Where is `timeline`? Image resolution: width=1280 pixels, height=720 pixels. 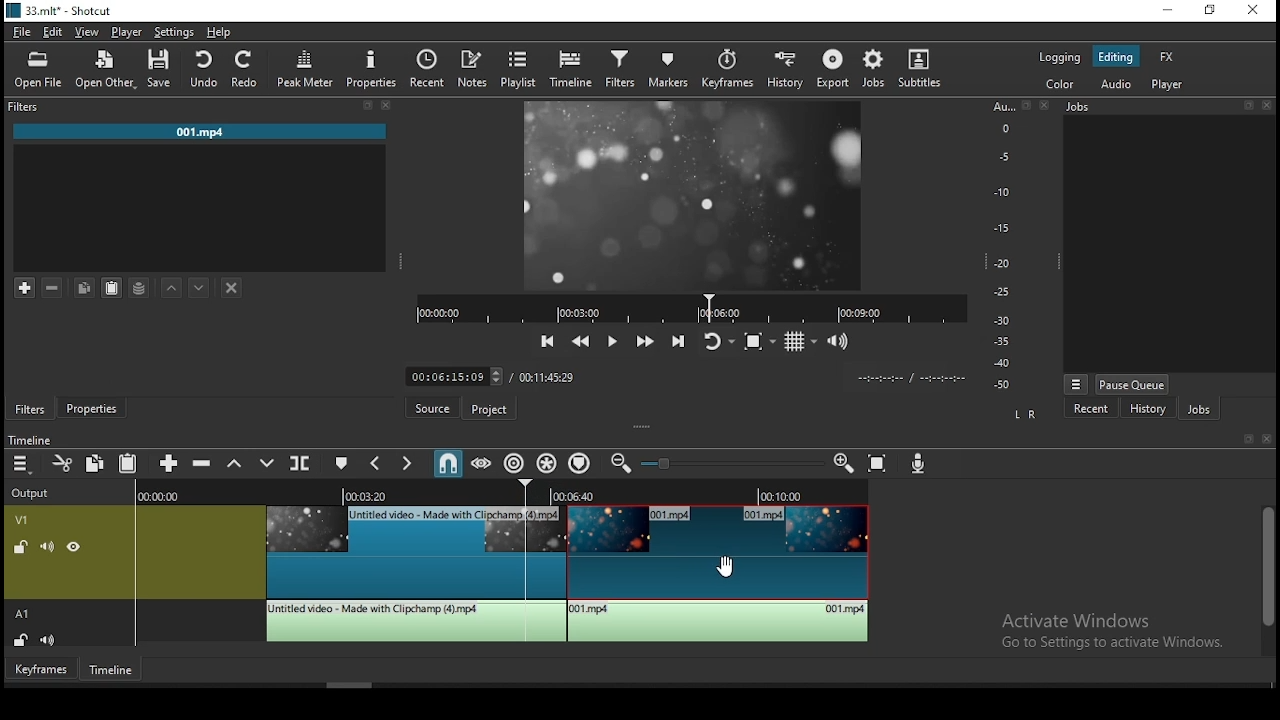
timeline is located at coordinates (33, 436).